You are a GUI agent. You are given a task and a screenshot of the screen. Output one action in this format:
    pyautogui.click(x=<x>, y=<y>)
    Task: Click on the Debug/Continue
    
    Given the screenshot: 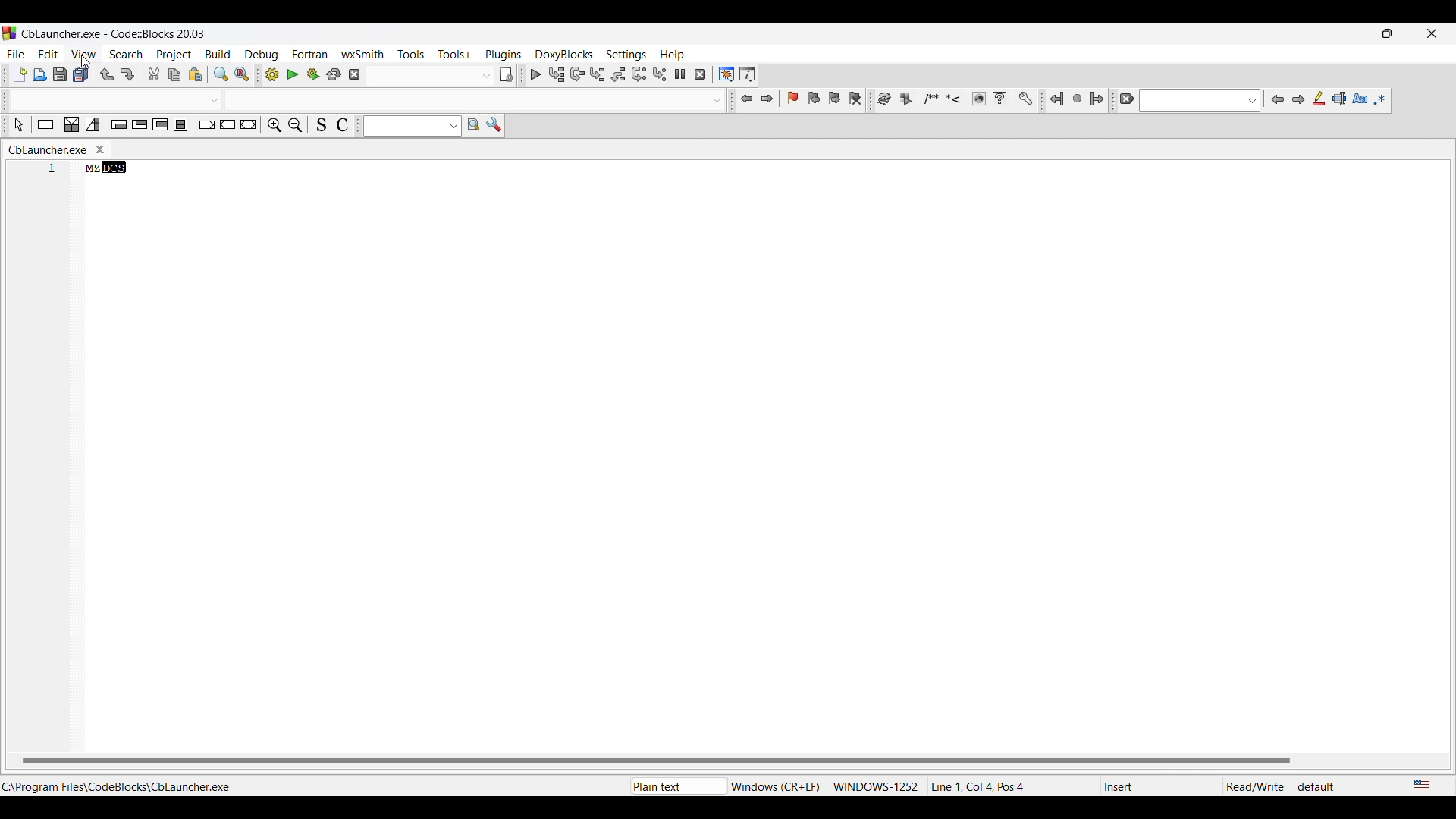 What is the action you would take?
    pyautogui.click(x=536, y=74)
    